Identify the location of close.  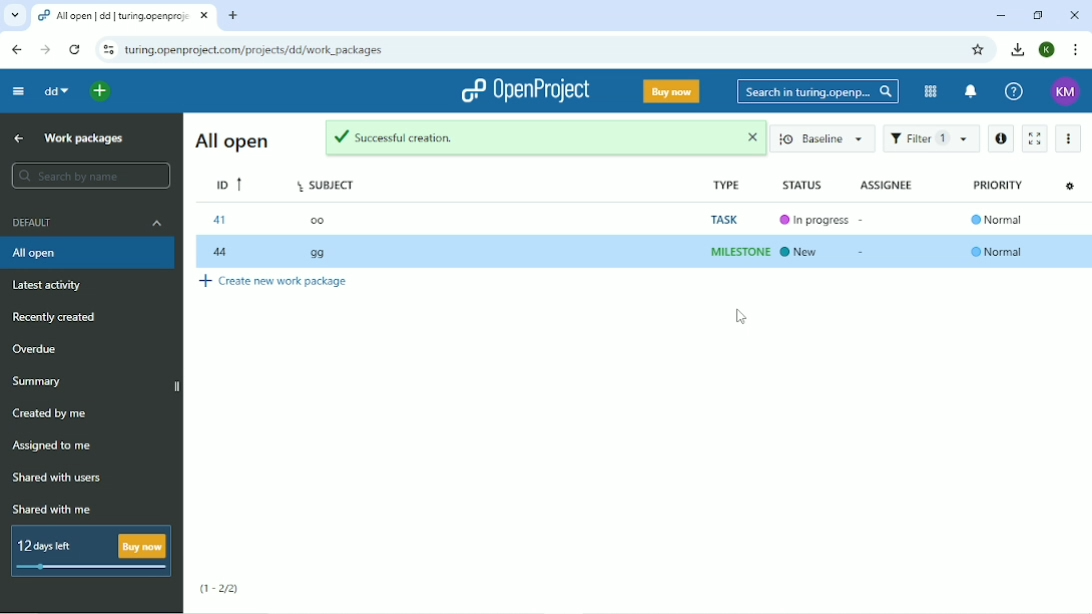
(751, 140).